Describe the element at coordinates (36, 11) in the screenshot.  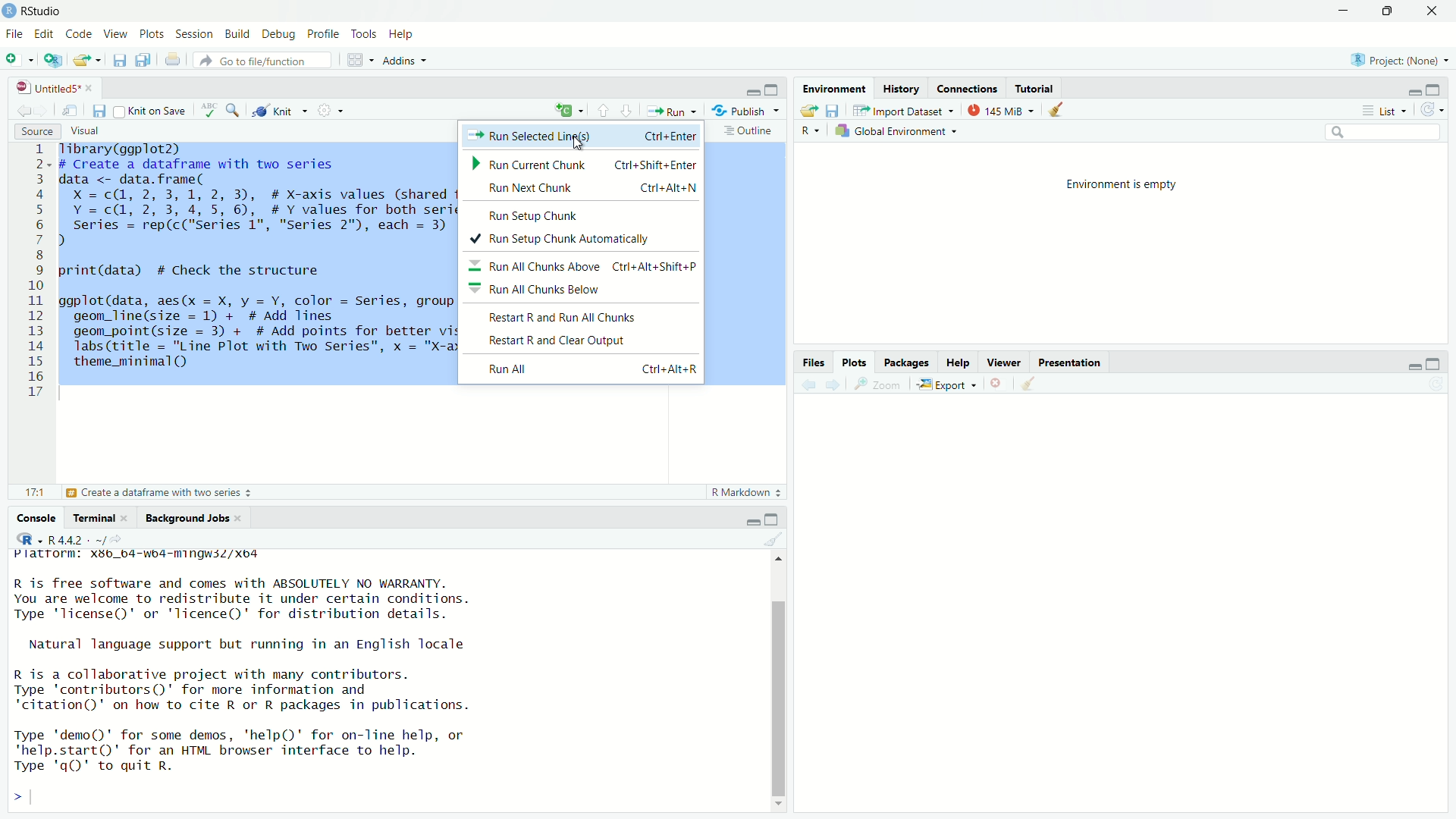
I see `Rstudio` at that location.